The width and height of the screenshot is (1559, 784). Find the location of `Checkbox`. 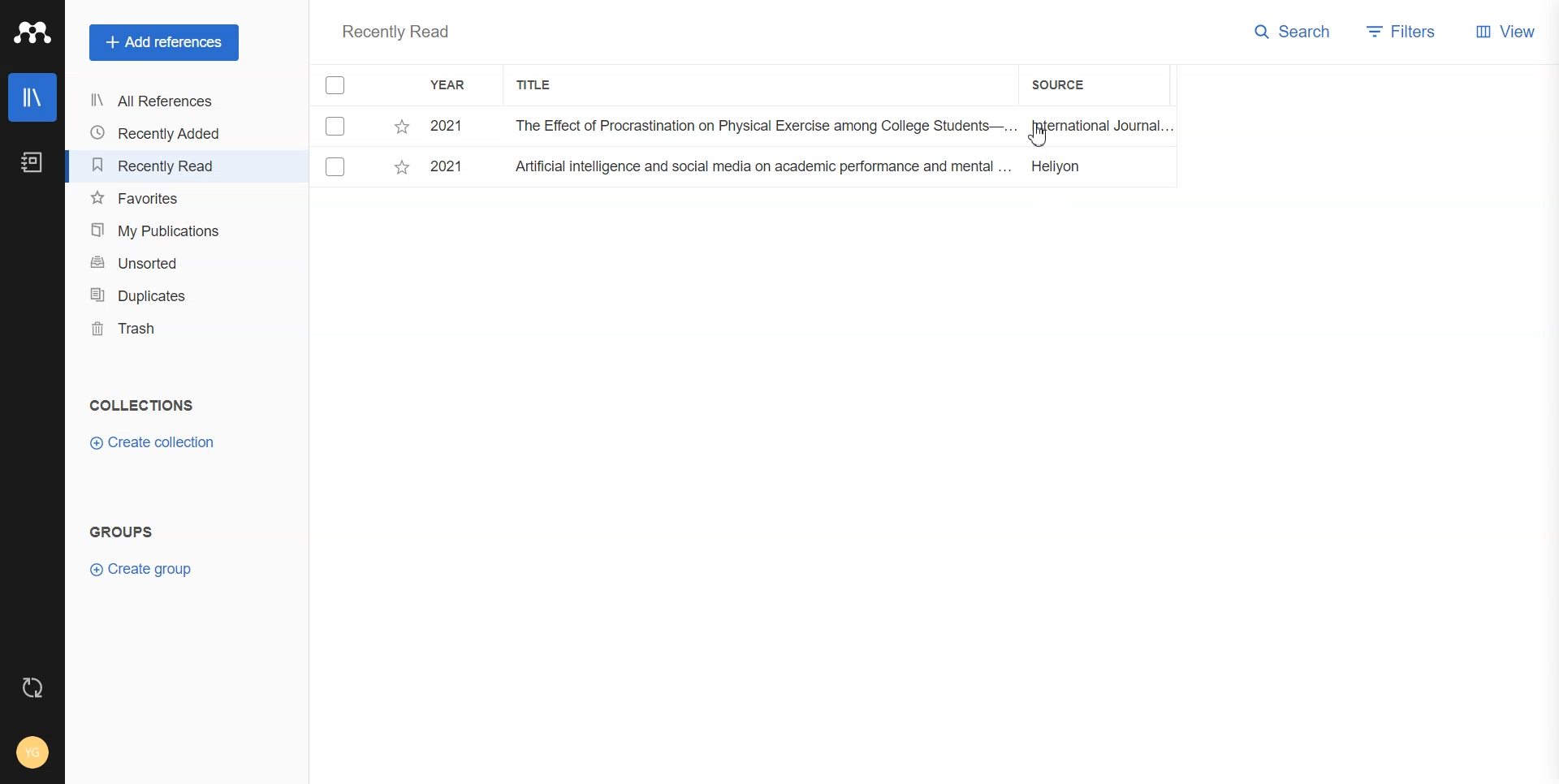

Checkbox is located at coordinates (338, 85).